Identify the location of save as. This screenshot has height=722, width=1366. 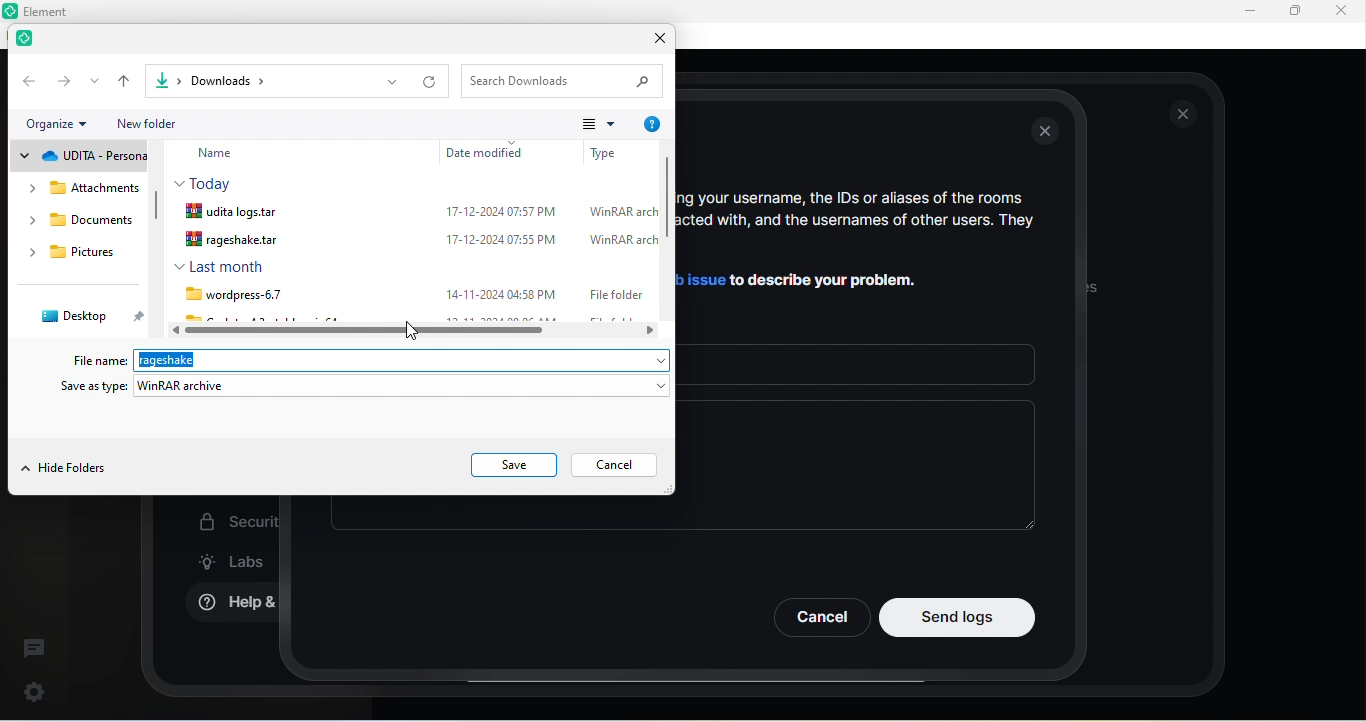
(366, 388).